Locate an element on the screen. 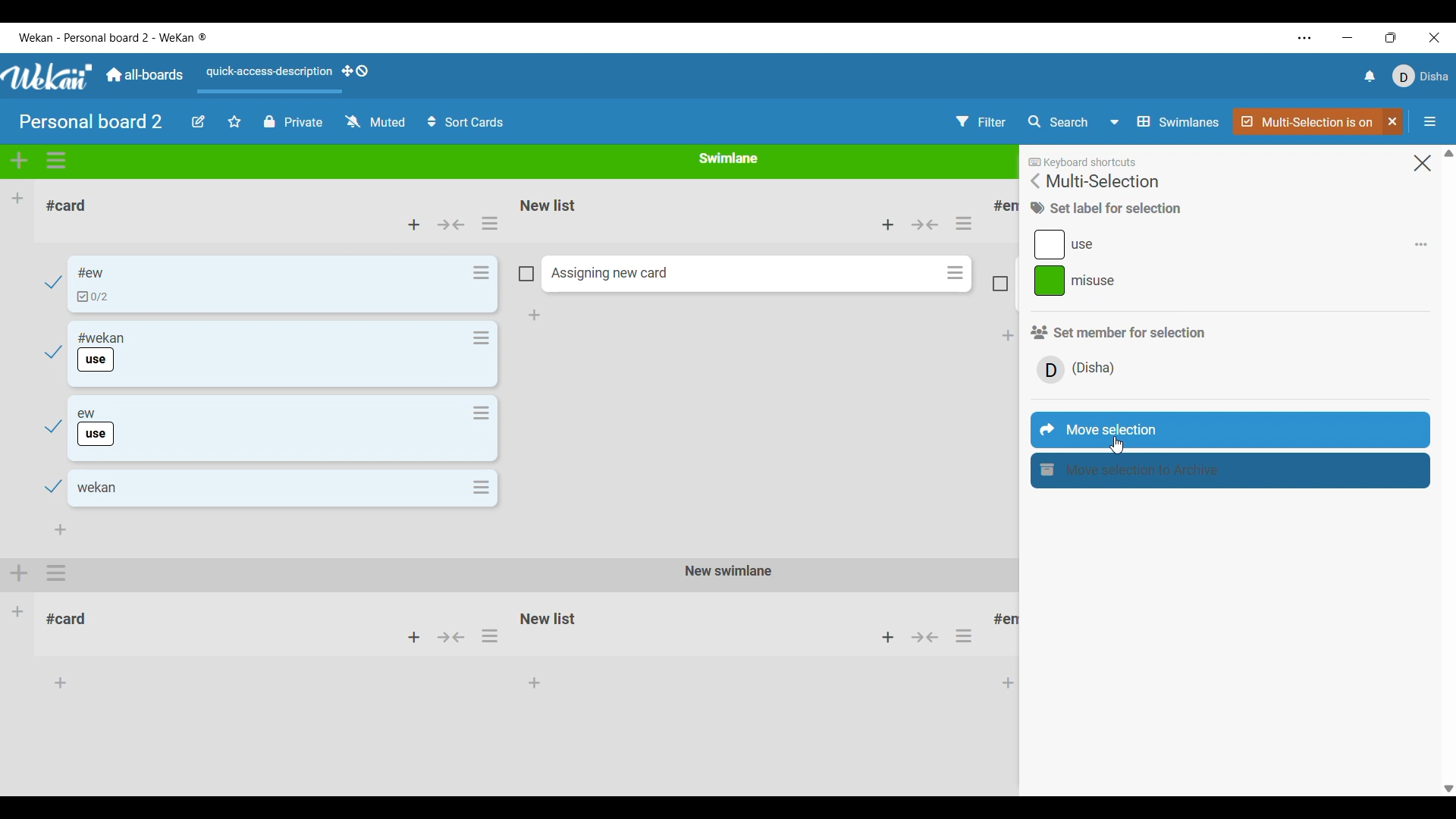  Title of current section is located at coordinates (1106, 208).